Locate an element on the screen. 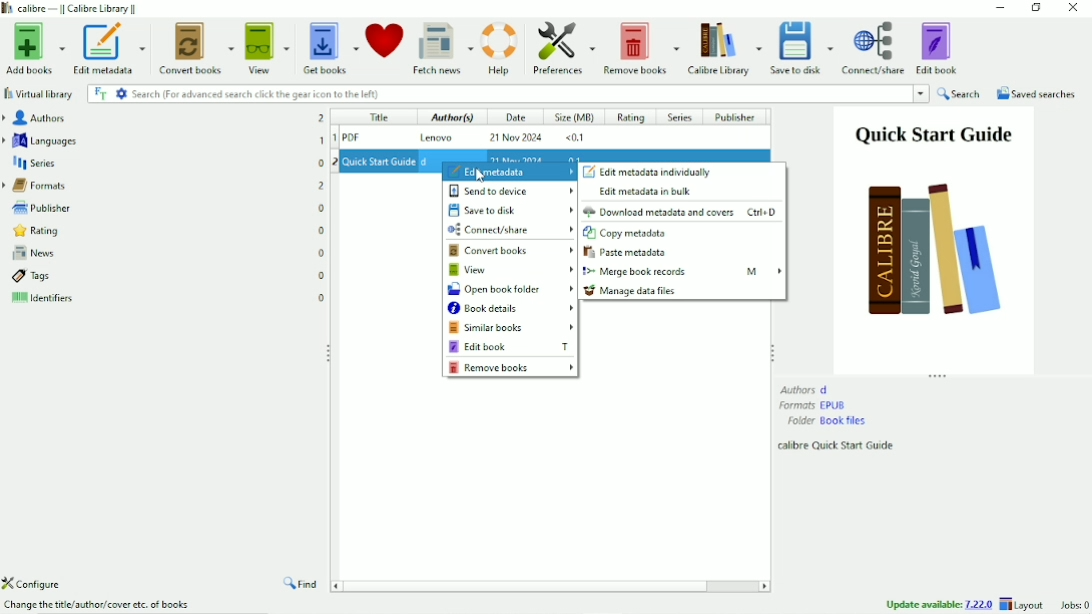 This screenshot has width=1092, height=614. Saved searches is located at coordinates (1037, 94).